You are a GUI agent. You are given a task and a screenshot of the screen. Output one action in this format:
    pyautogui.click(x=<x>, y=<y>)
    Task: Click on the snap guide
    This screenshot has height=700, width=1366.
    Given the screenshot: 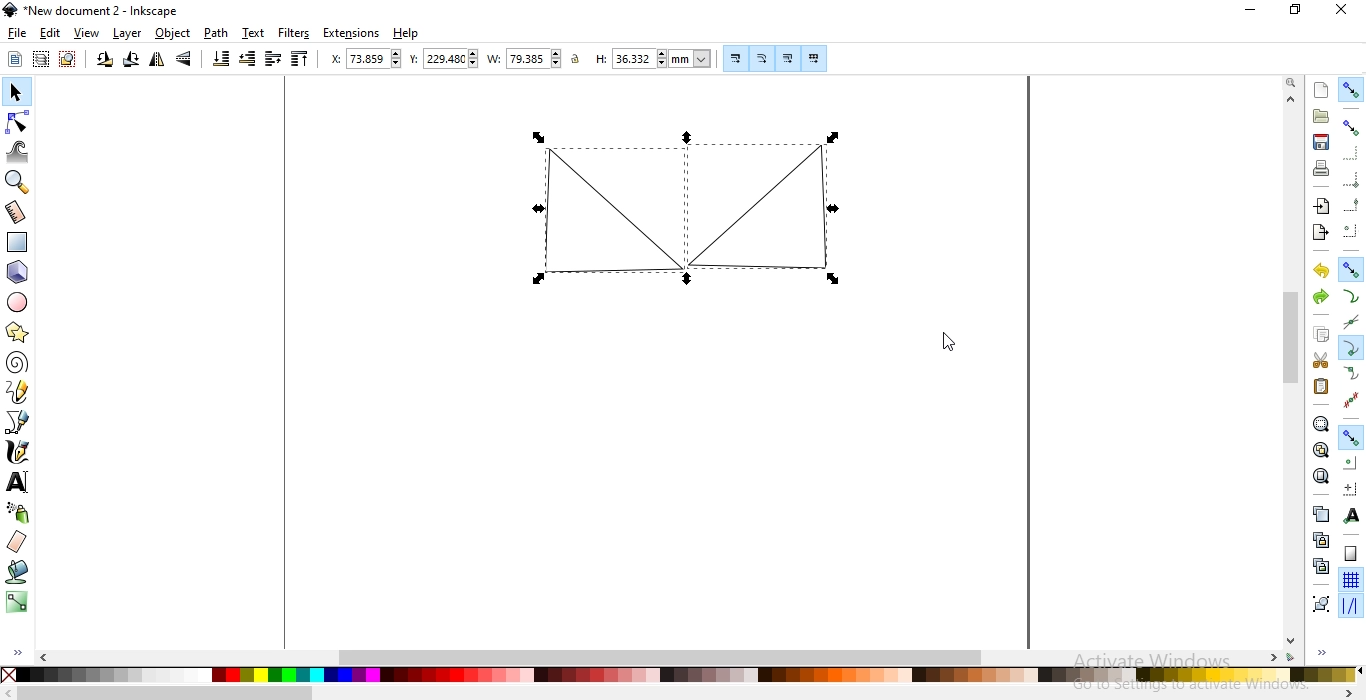 What is the action you would take?
    pyautogui.click(x=1350, y=607)
    